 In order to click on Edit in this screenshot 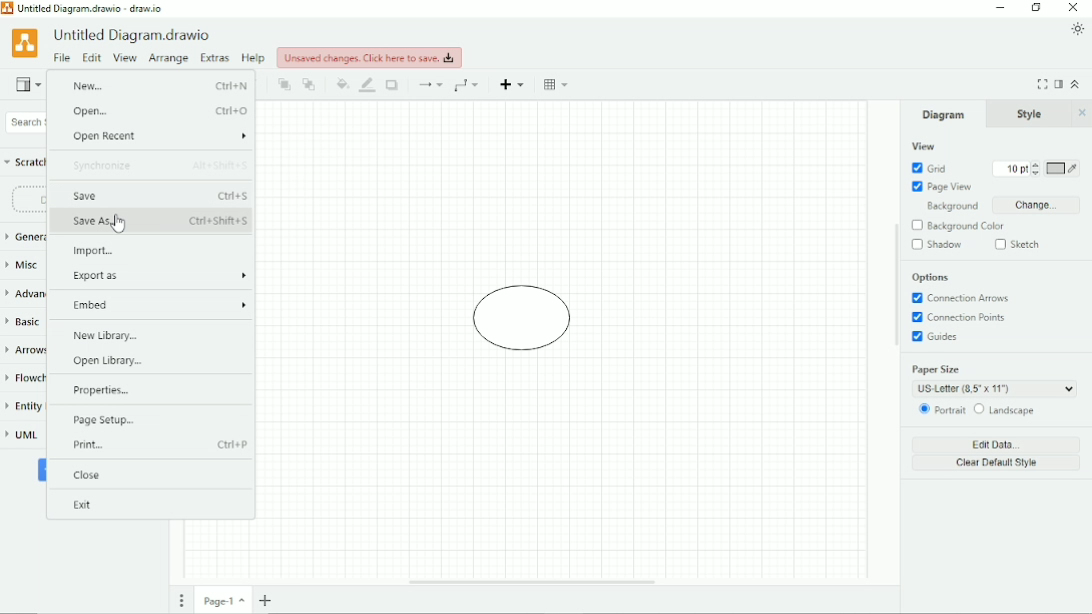, I will do `click(92, 57)`.